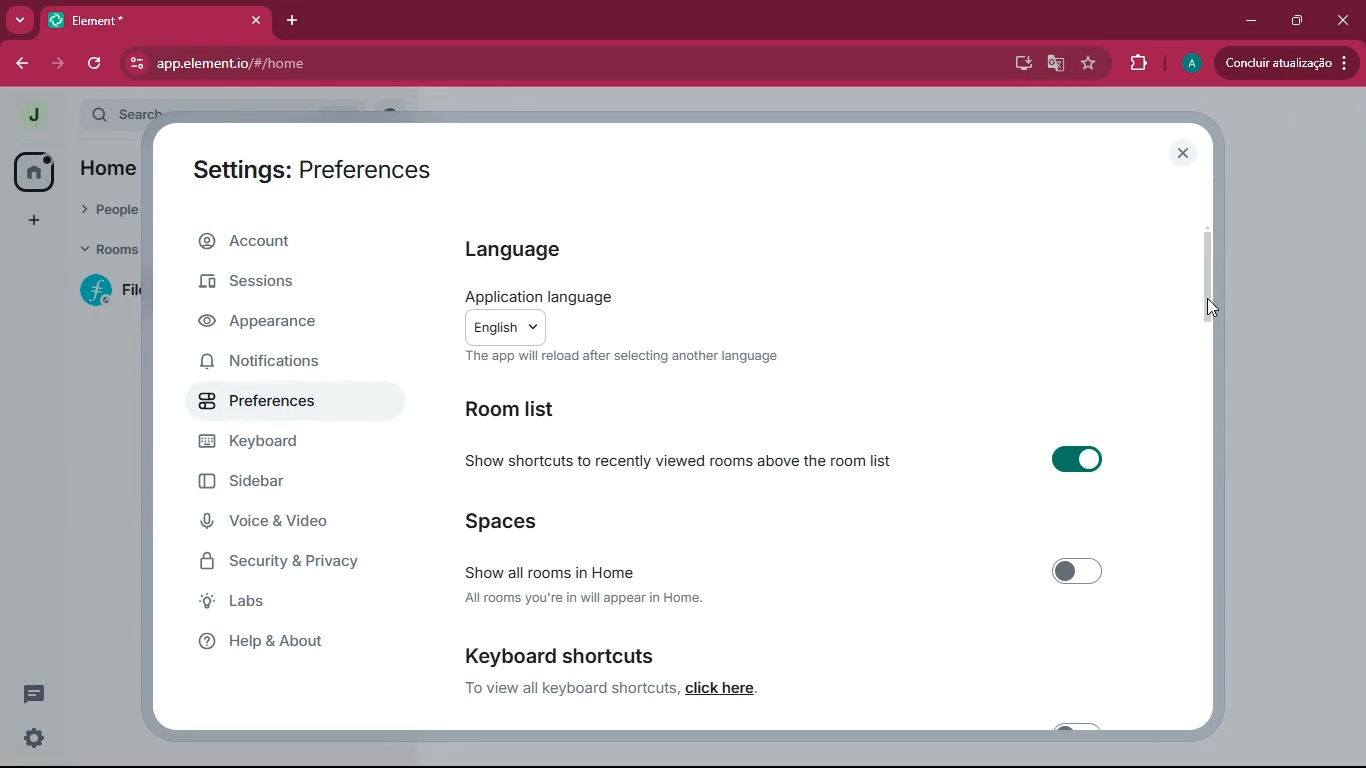  I want to click on sessions, so click(282, 286).